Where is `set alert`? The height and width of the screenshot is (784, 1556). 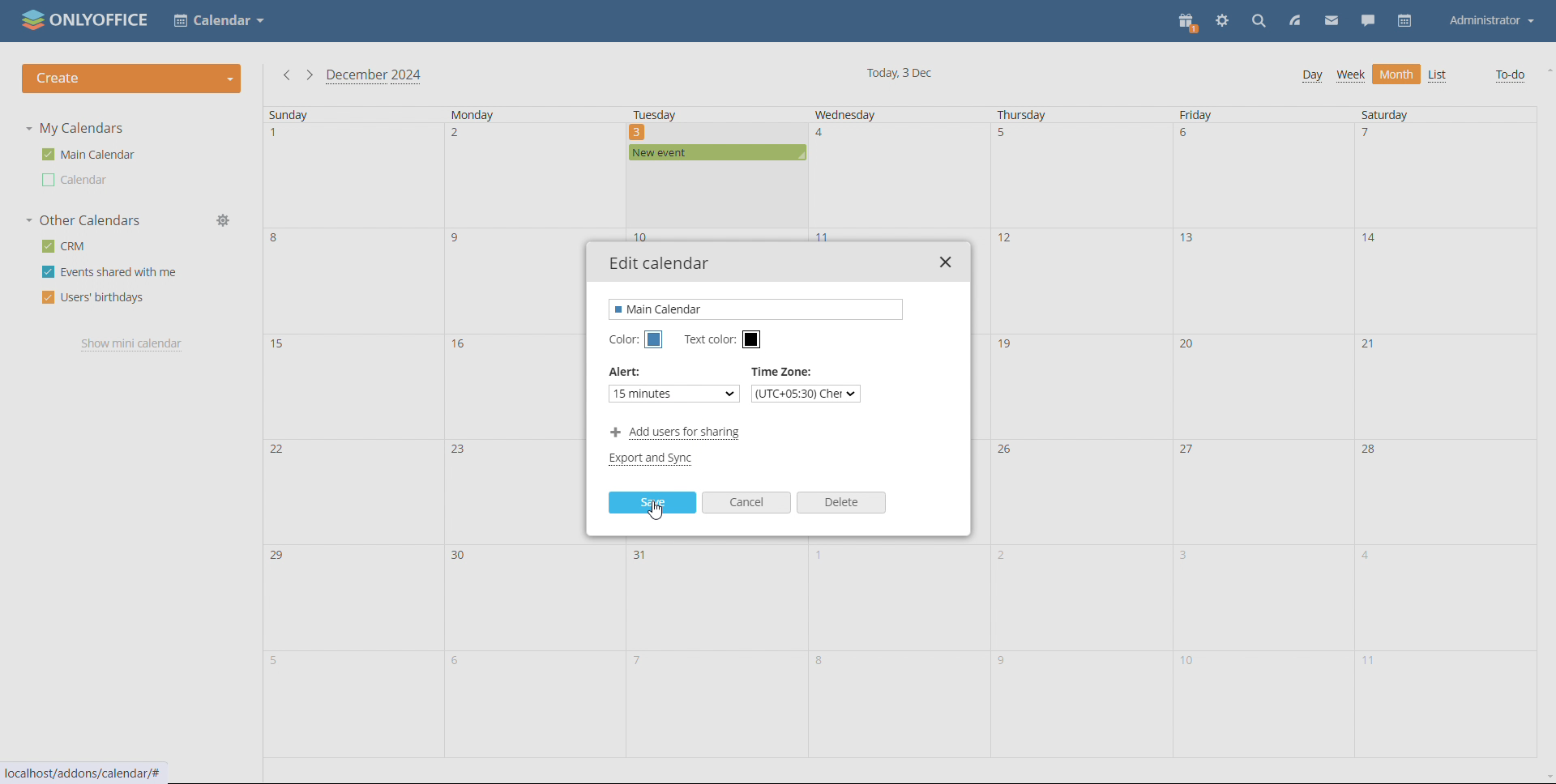
set alert is located at coordinates (673, 393).